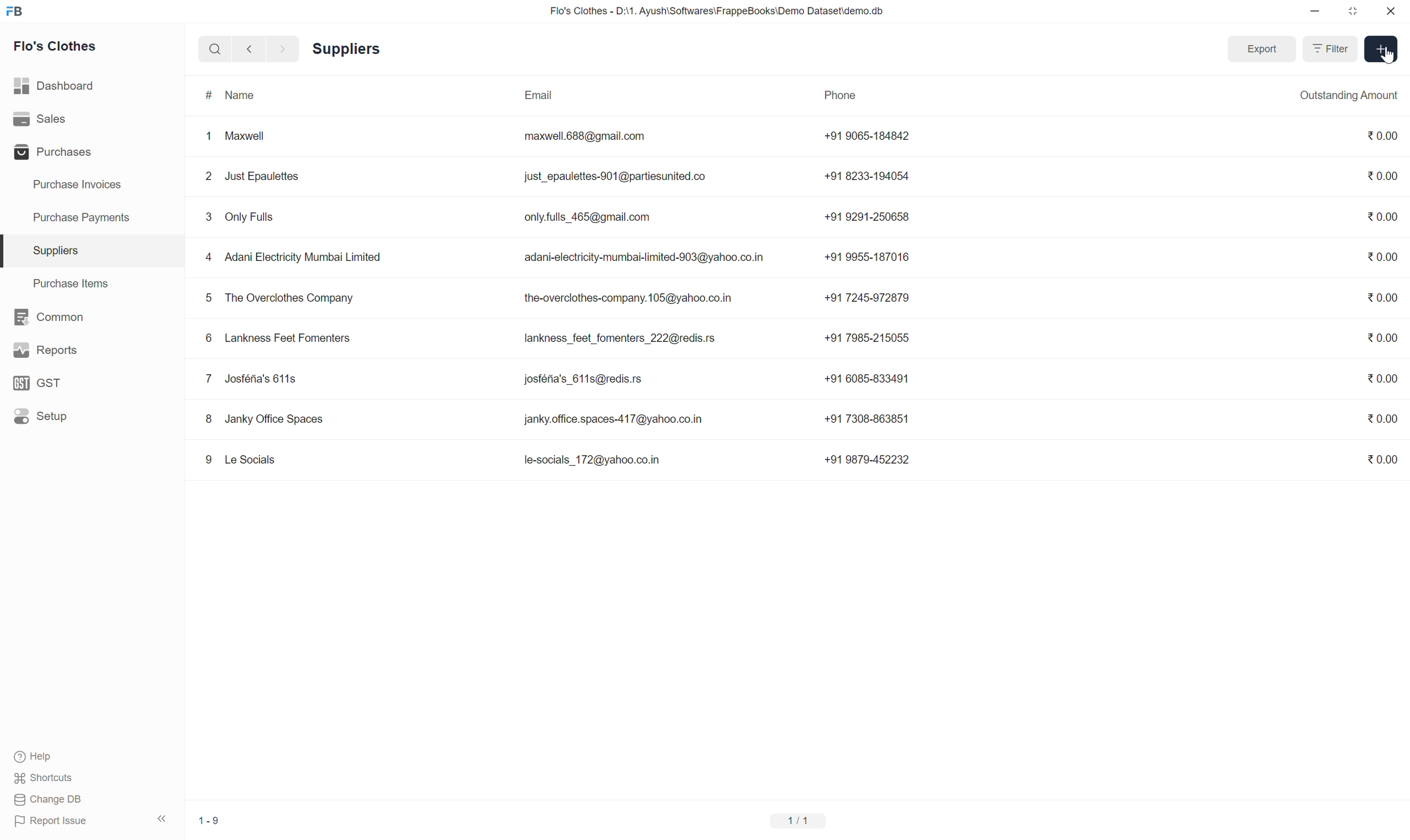  I want to click on Sales, so click(92, 119).